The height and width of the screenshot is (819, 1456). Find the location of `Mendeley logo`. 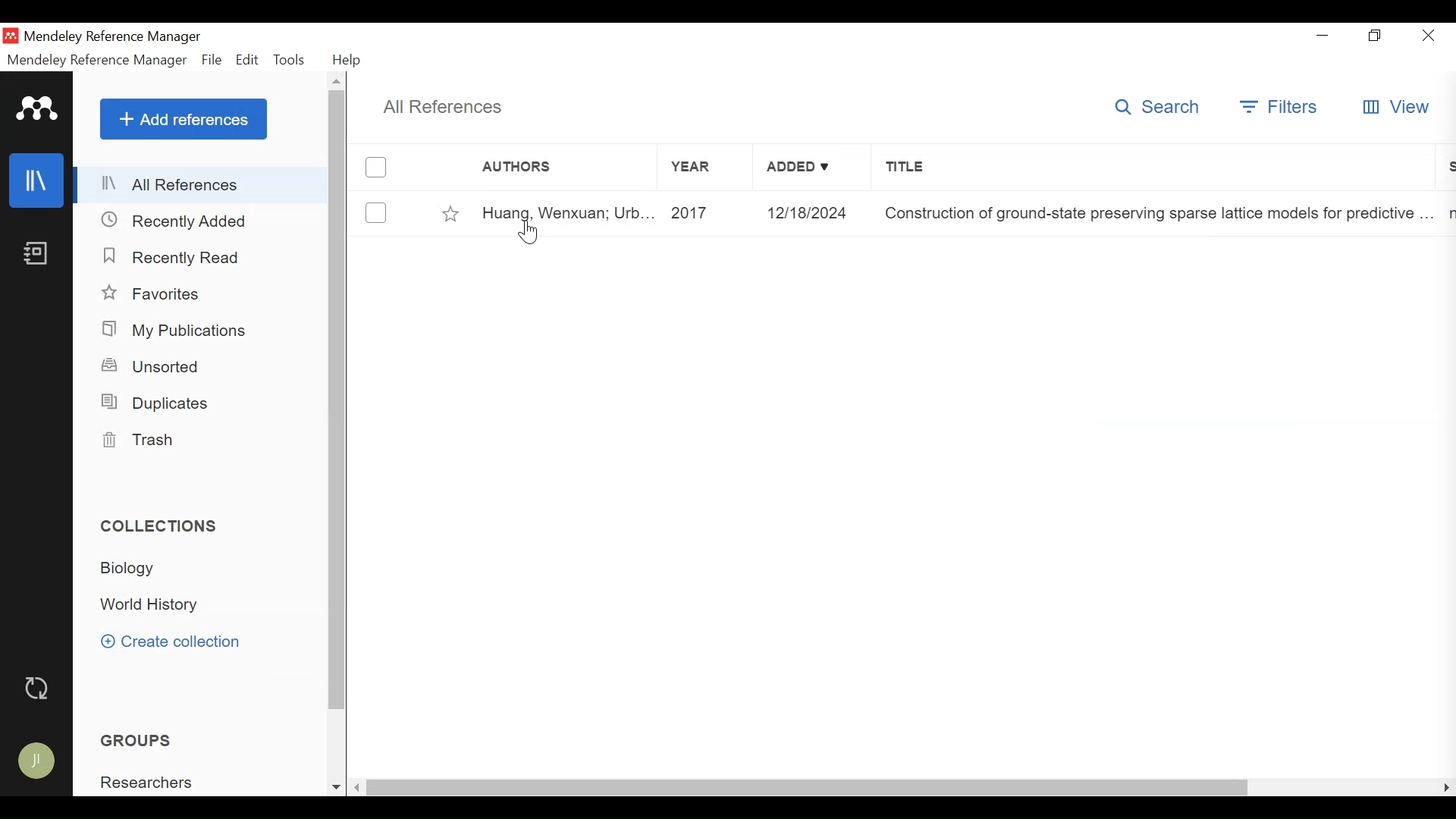

Mendeley logo is located at coordinates (39, 108).